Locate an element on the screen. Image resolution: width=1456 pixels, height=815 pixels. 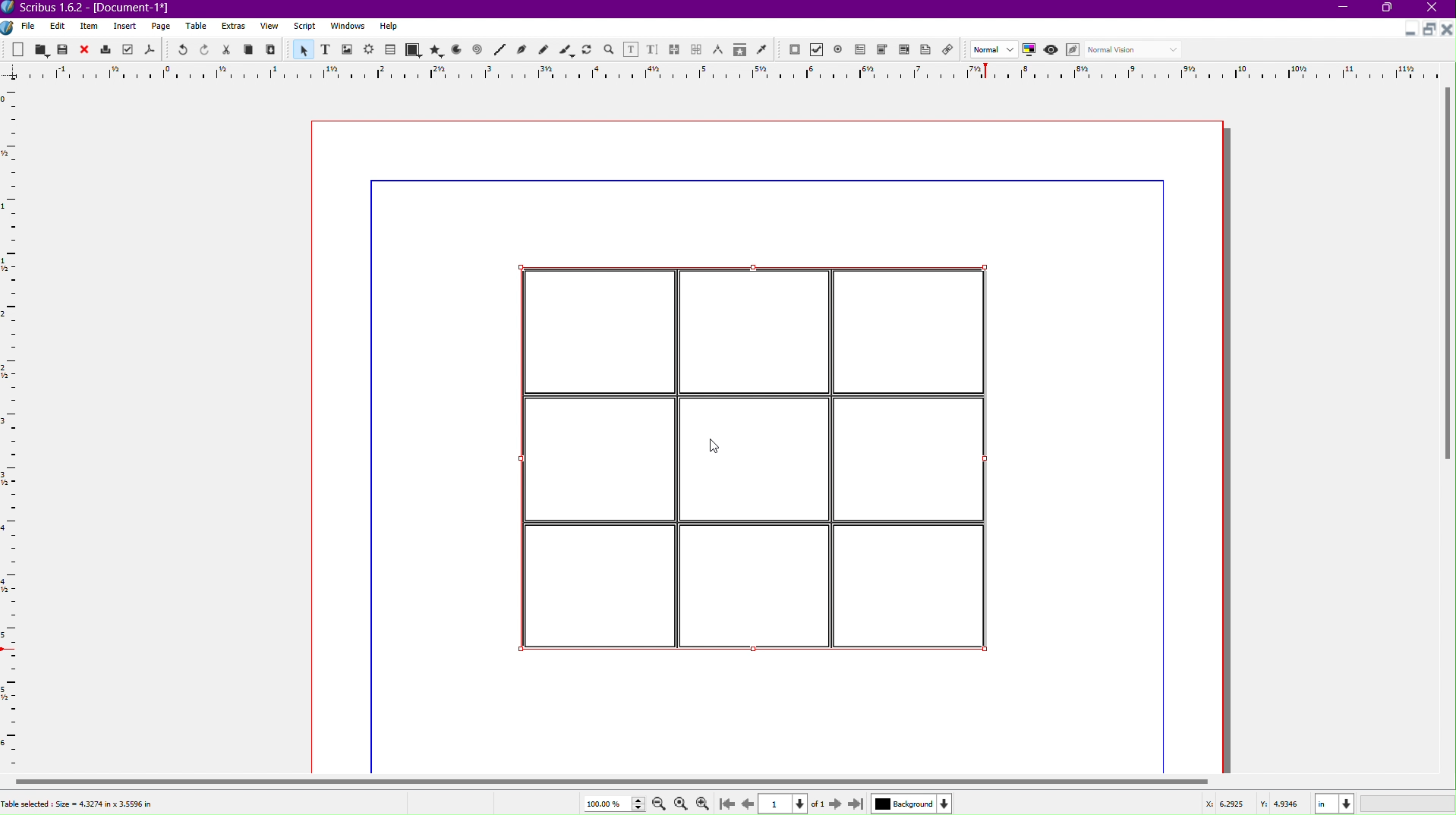
Table is located at coordinates (198, 27).